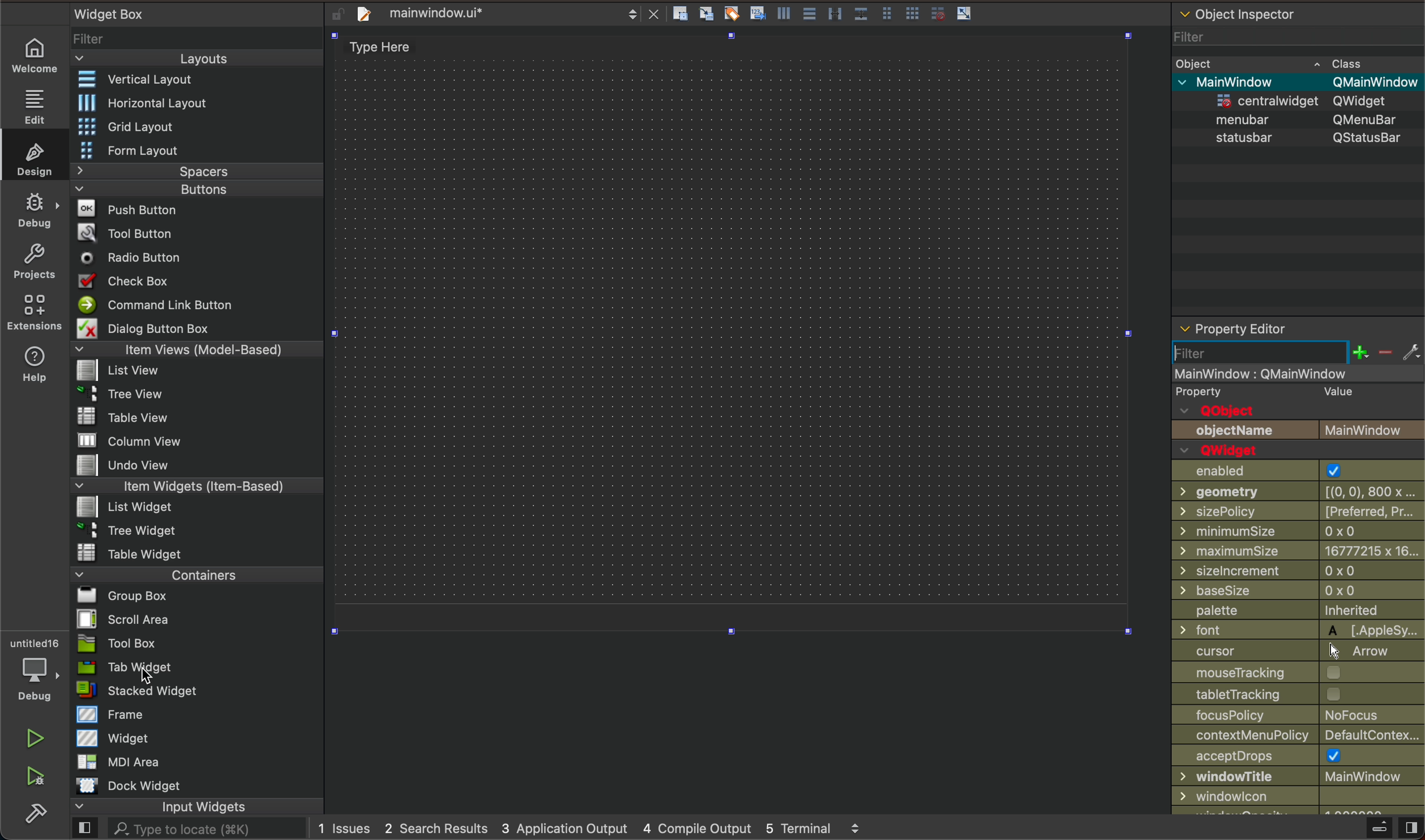  What do you see at coordinates (198, 58) in the screenshot?
I see `Layouts` at bounding box center [198, 58].